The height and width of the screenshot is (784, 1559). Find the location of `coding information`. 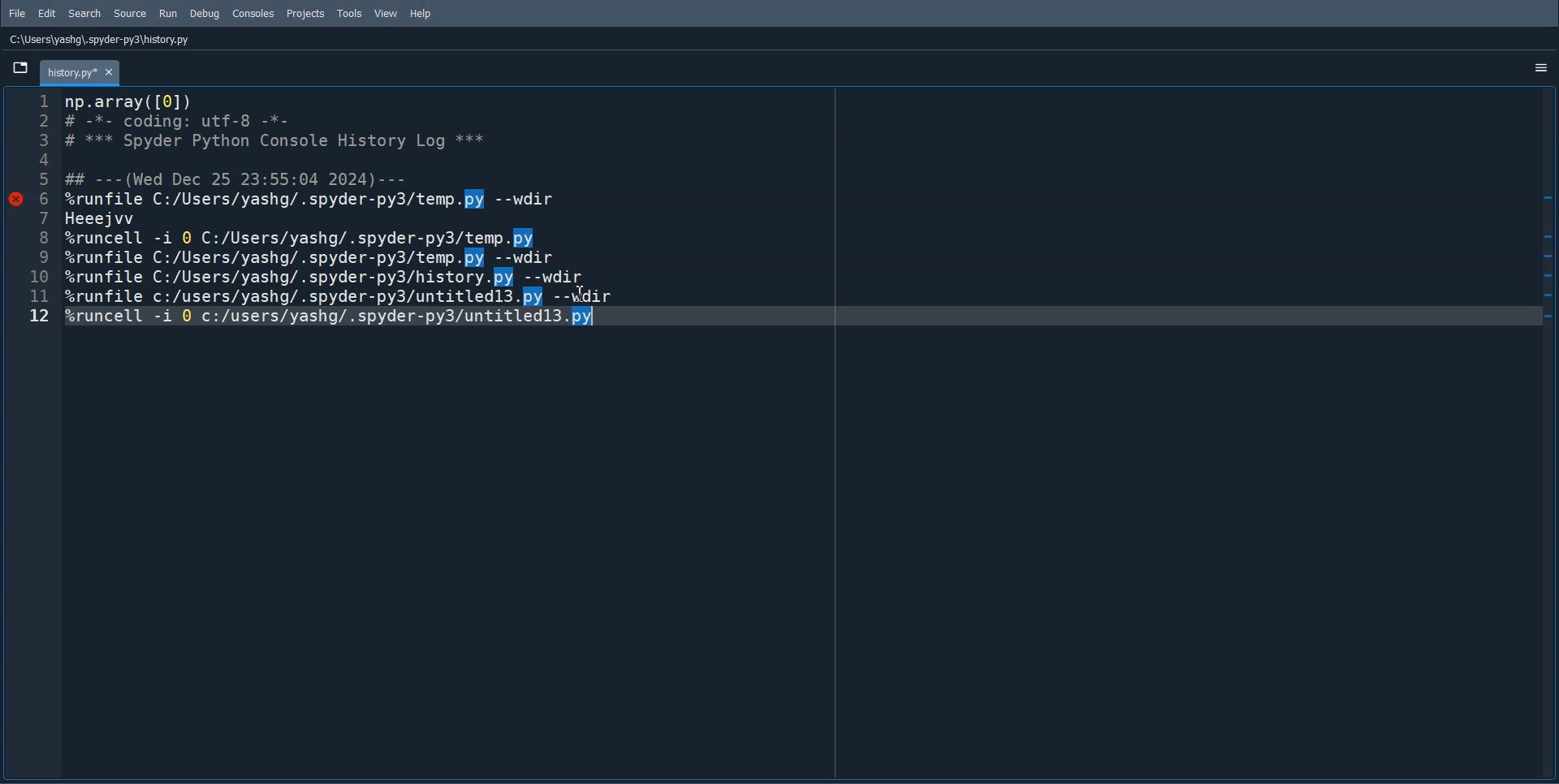

coding information is located at coordinates (339, 223).